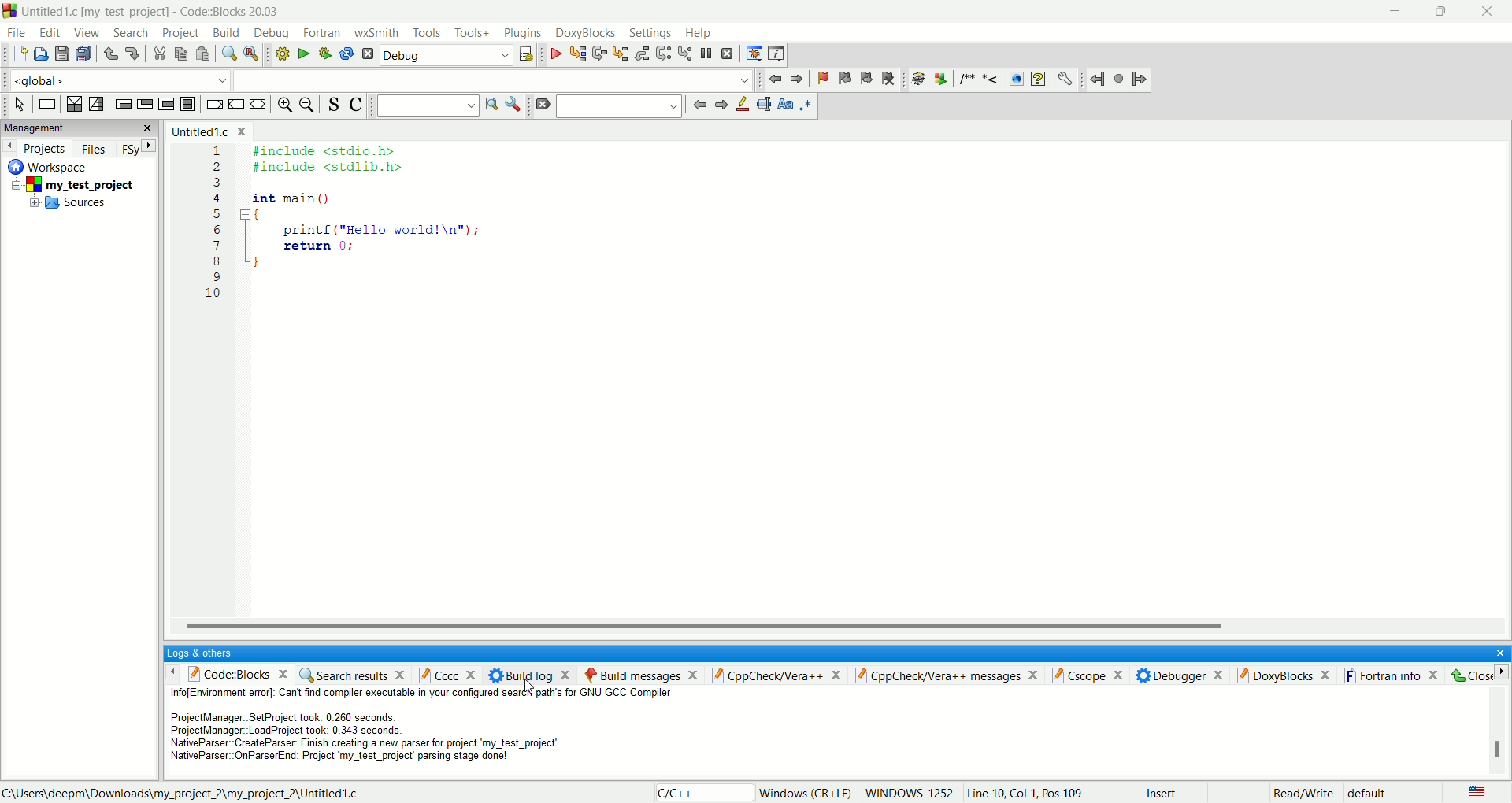 The height and width of the screenshot is (803, 1512). Describe the element at coordinates (39, 54) in the screenshot. I see `open` at that location.